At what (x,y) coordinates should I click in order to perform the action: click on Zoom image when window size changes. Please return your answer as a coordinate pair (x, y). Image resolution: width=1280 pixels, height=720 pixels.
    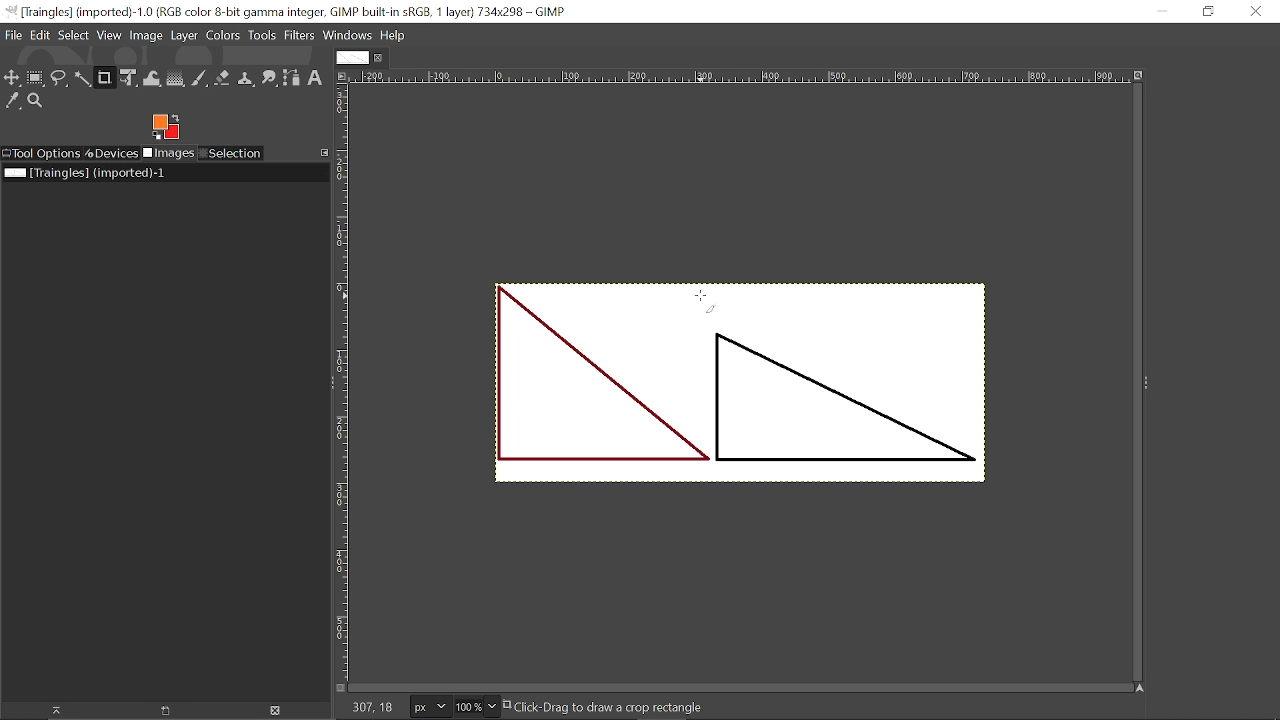
    Looking at the image, I should click on (1138, 74).